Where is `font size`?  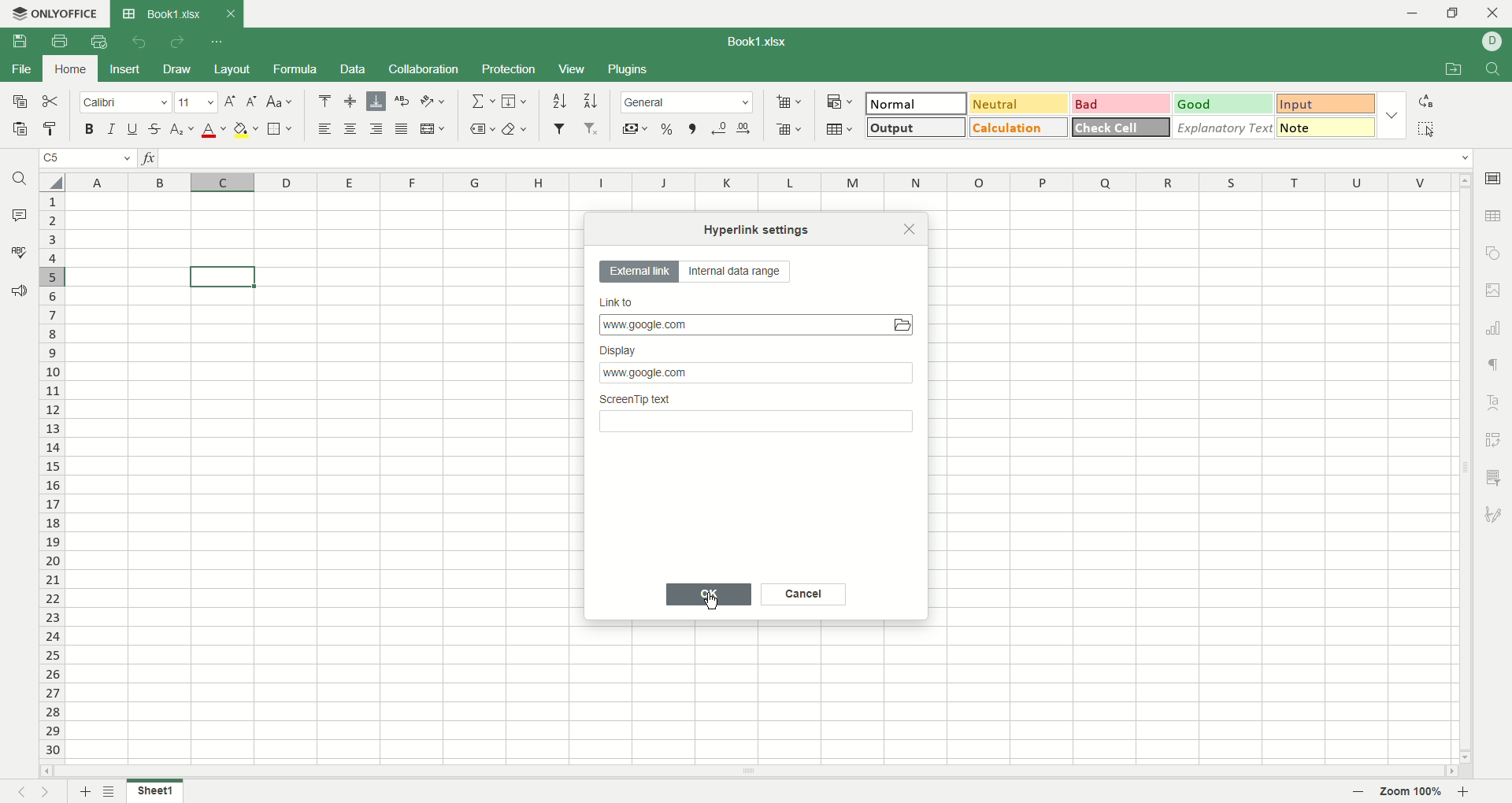
font size is located at coordinates (195, 103).